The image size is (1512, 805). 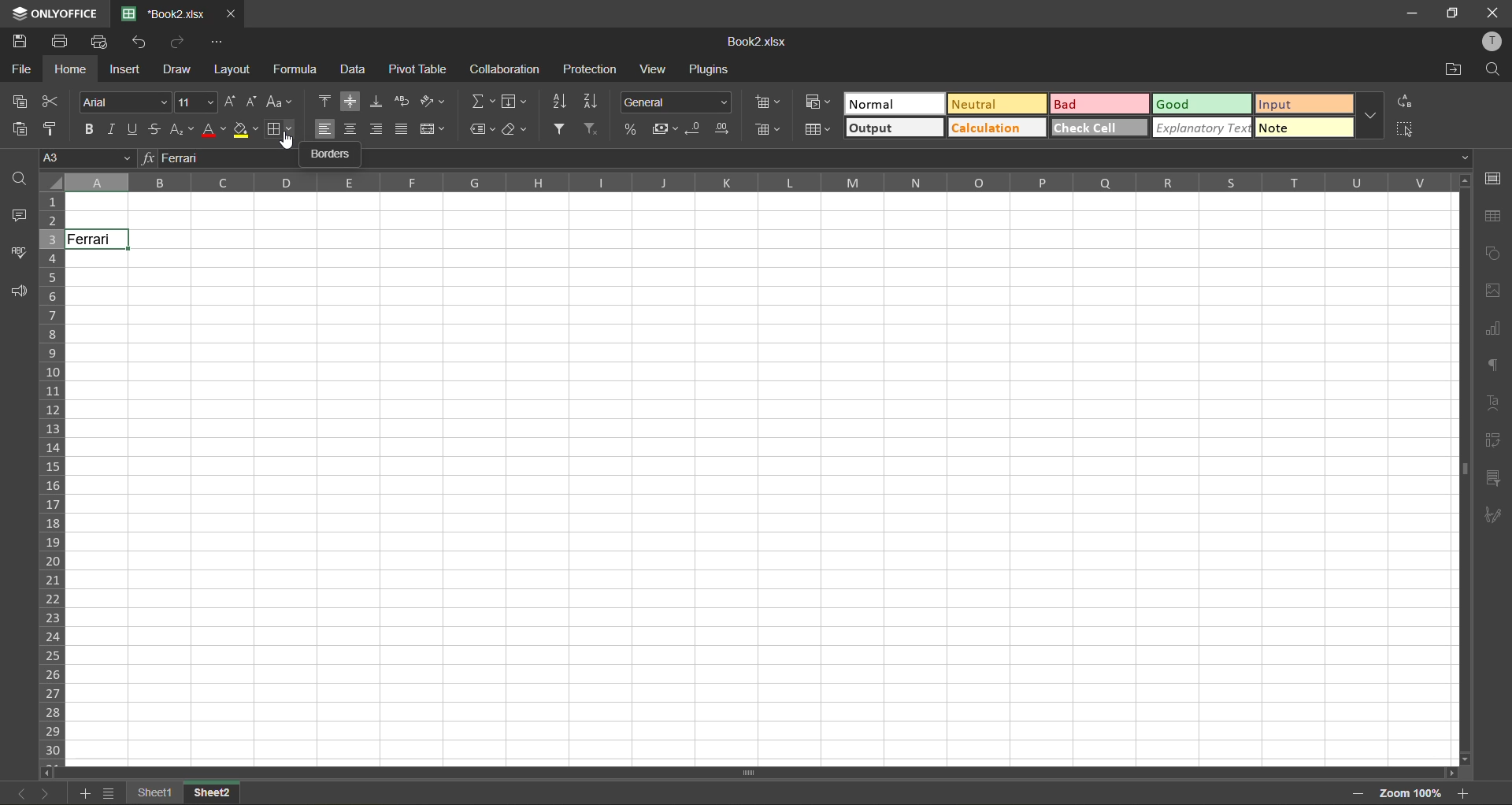 I want to click on conditional formatting, so click(x=818, y=100).